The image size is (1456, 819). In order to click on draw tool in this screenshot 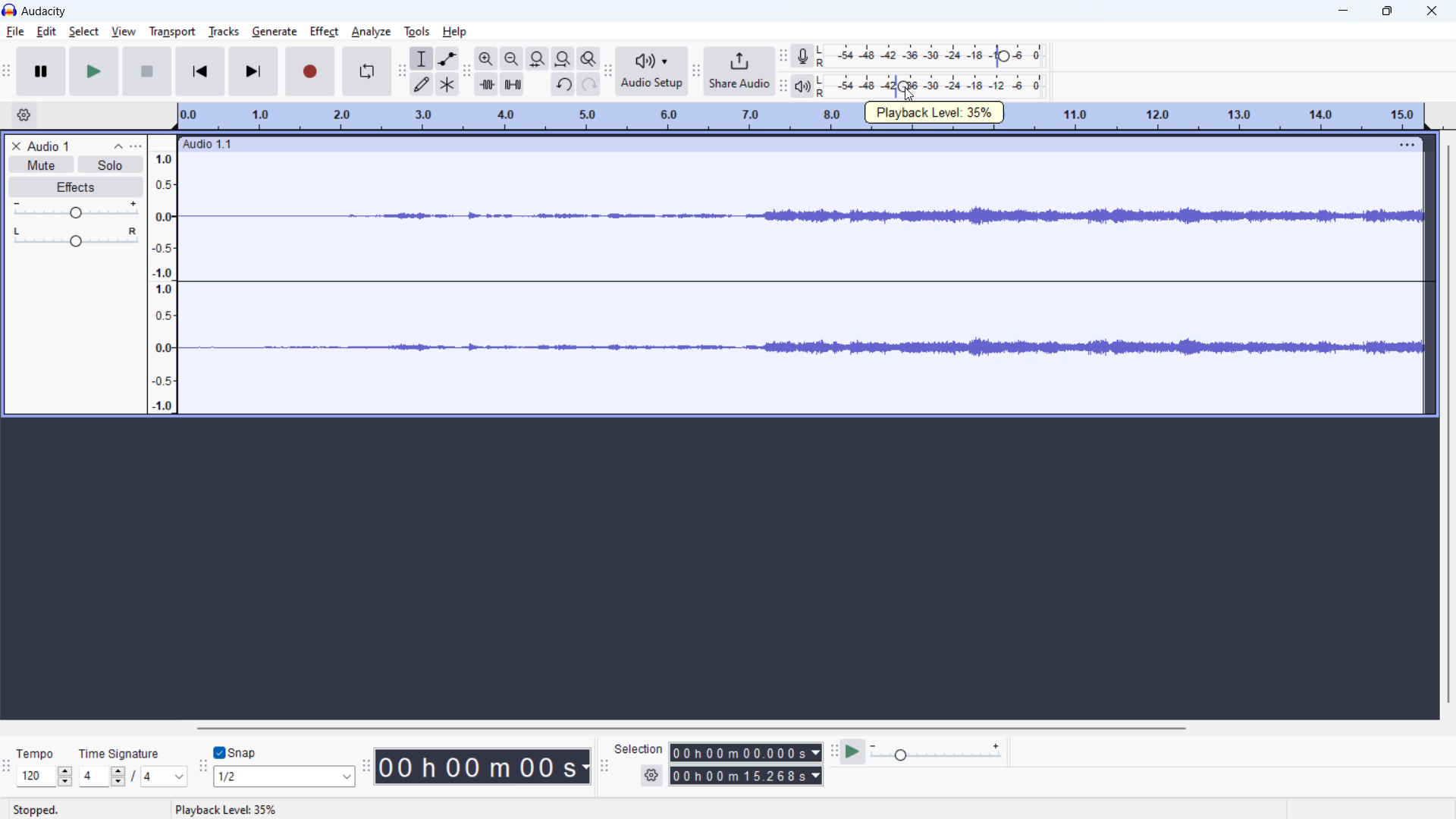, I will do `click(421, 83)`.